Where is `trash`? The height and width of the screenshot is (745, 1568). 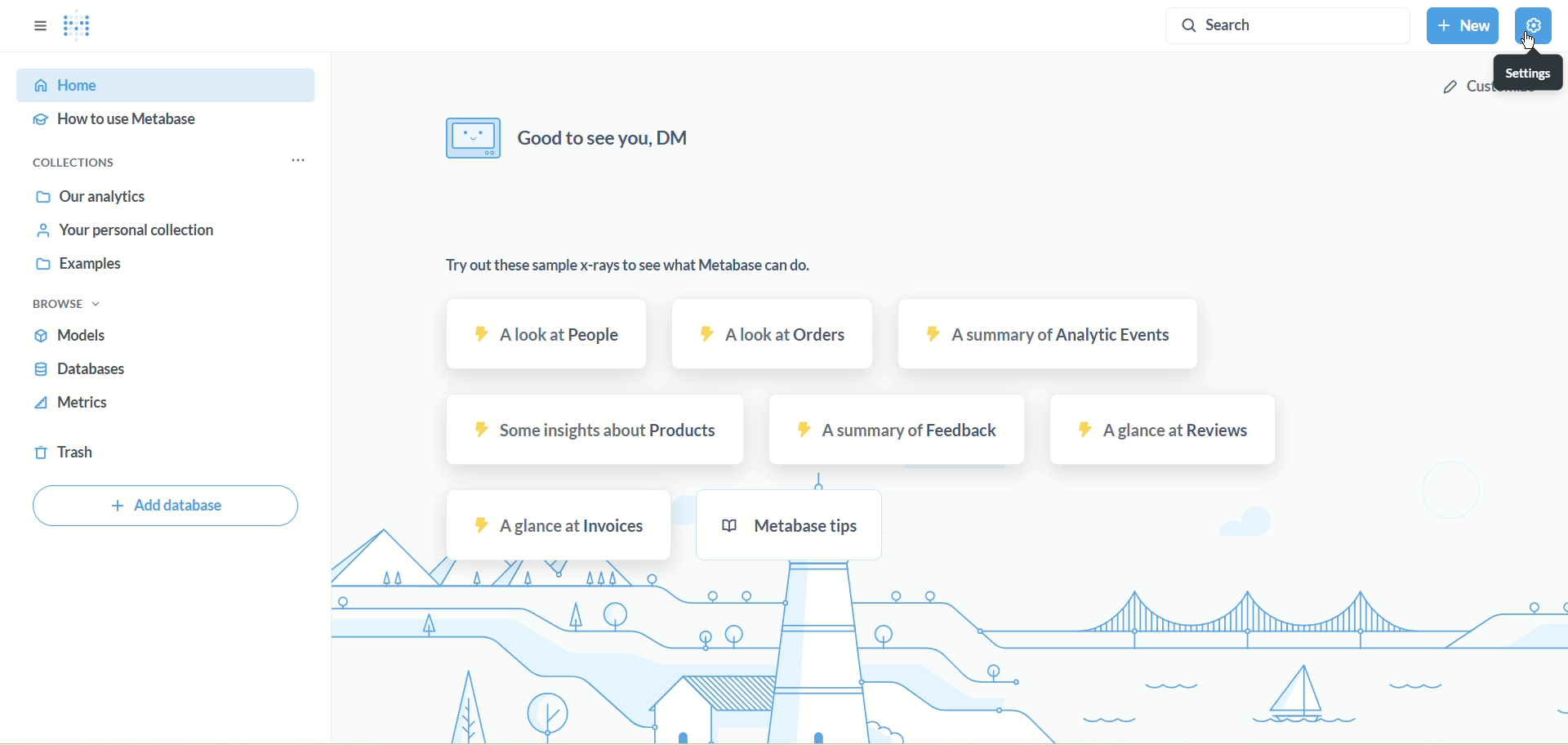
trash is located at coordinates (69, 453).